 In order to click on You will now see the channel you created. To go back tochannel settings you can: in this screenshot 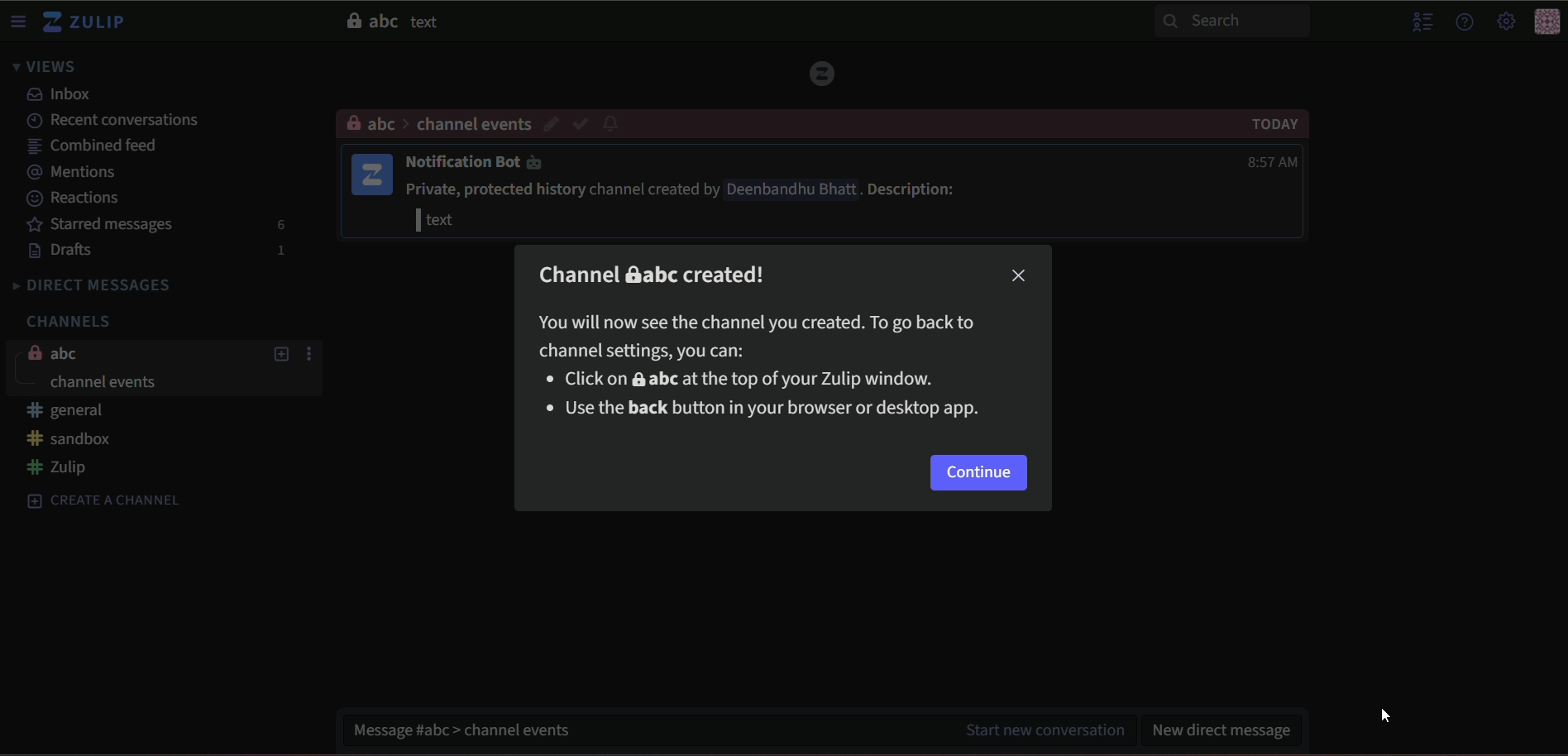, I will do `click(781, 337)`.